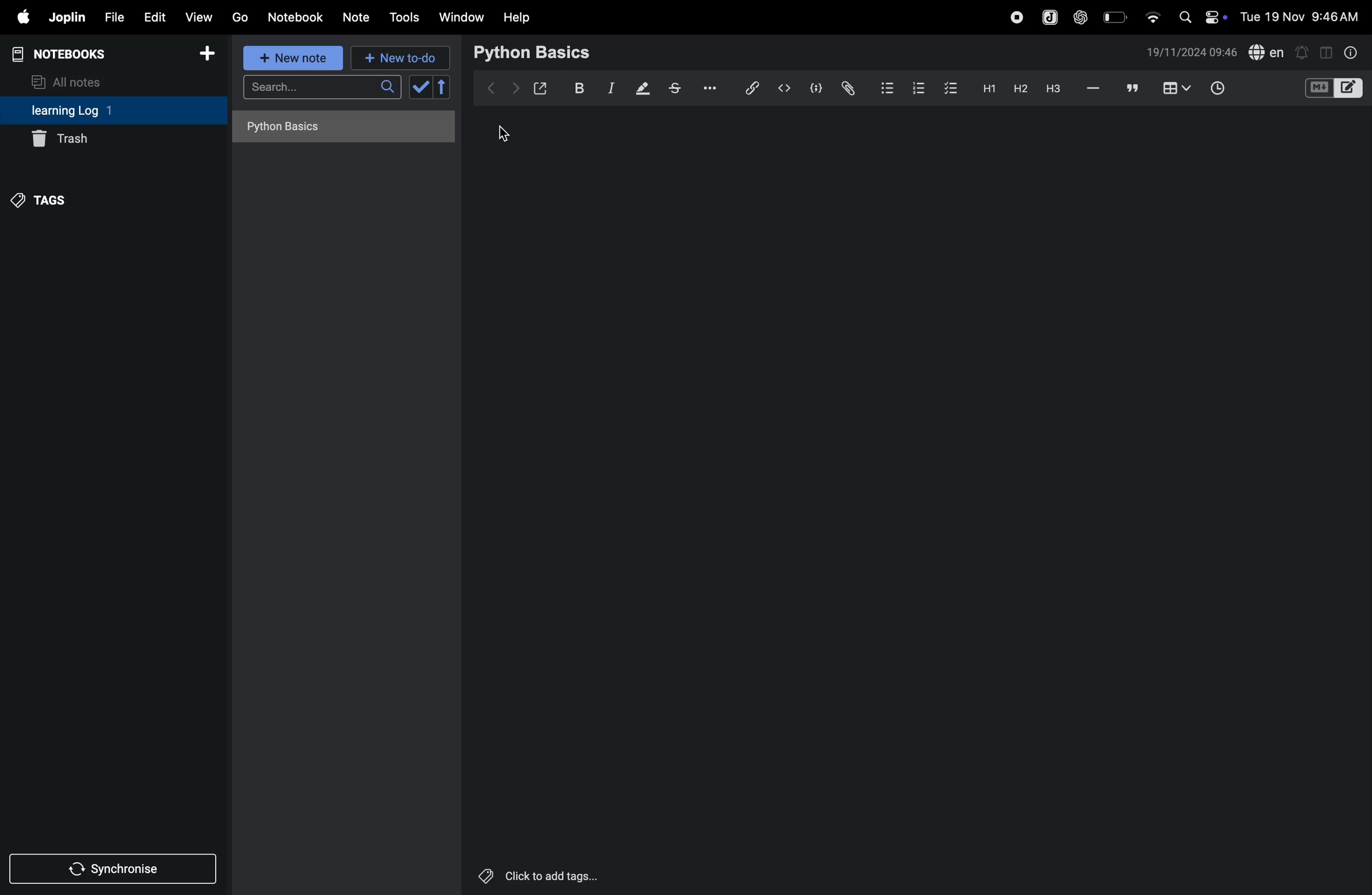 The width and height of the screenshot is (1372, 895). What do you see at coordinates (492, 87) in the screenshot?
I see `backward` at bounding box center [492, 87].